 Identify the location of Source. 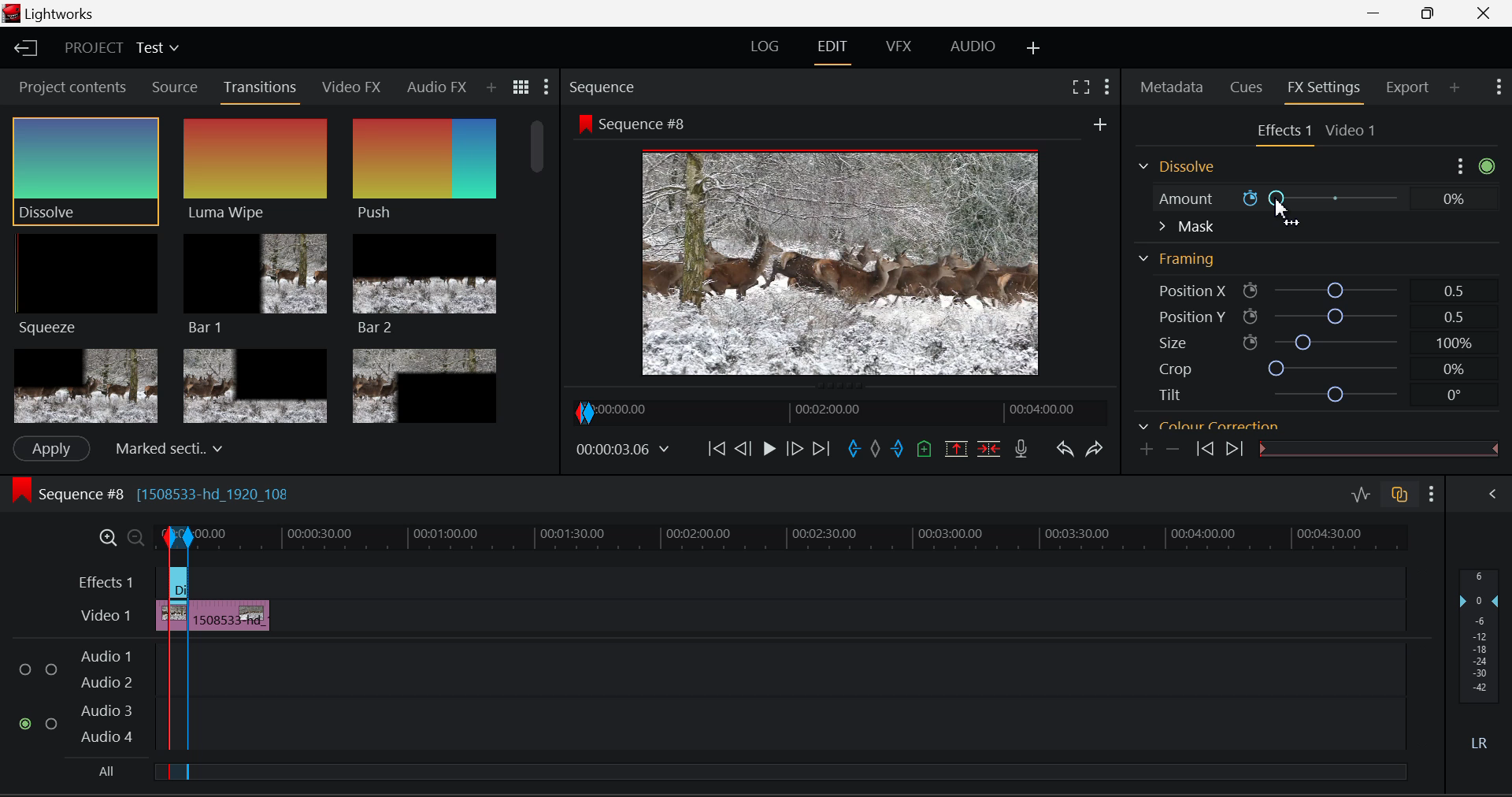
(176, 87).